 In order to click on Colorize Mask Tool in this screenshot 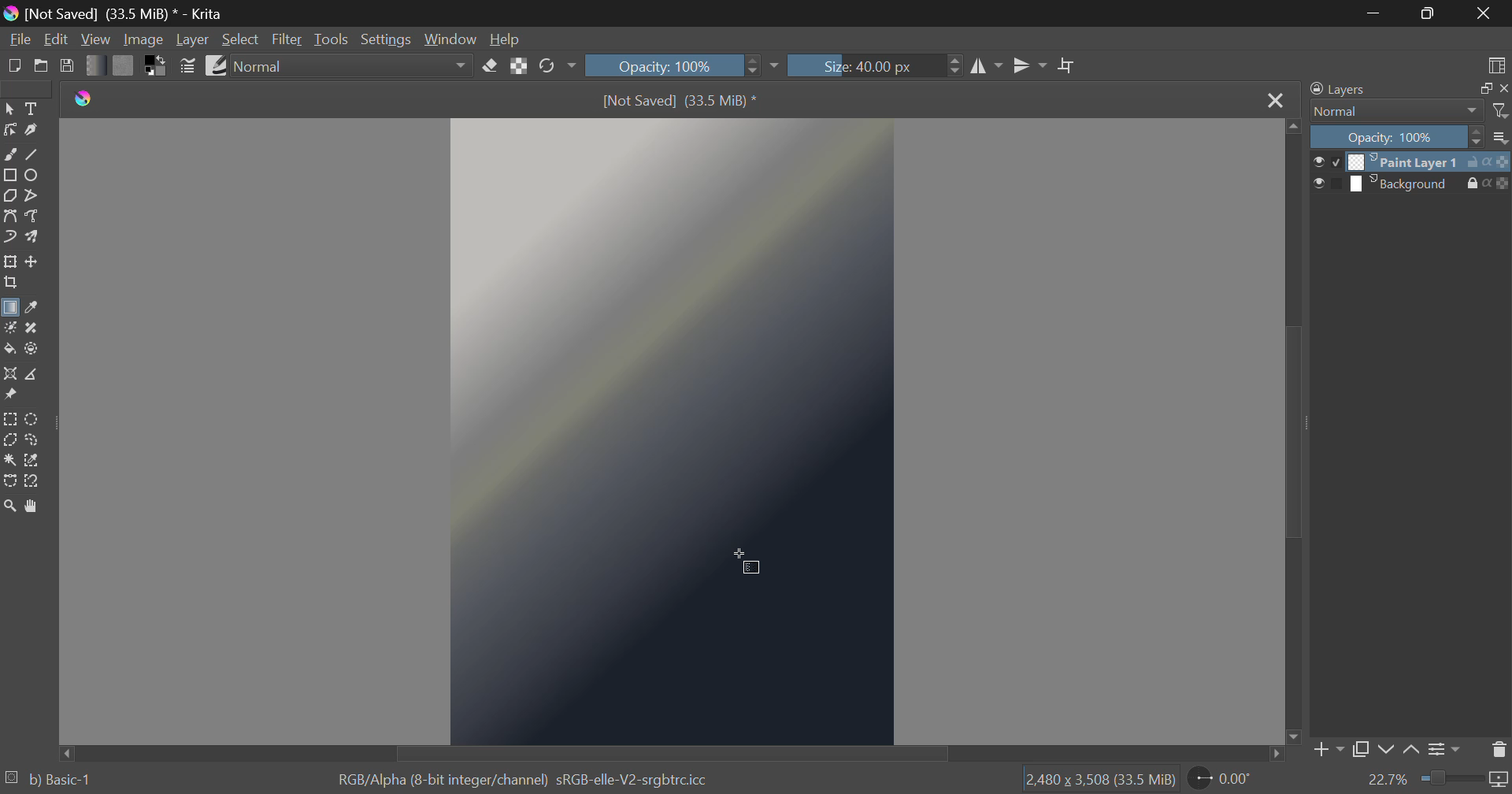, I will do `click(9, 328)`.